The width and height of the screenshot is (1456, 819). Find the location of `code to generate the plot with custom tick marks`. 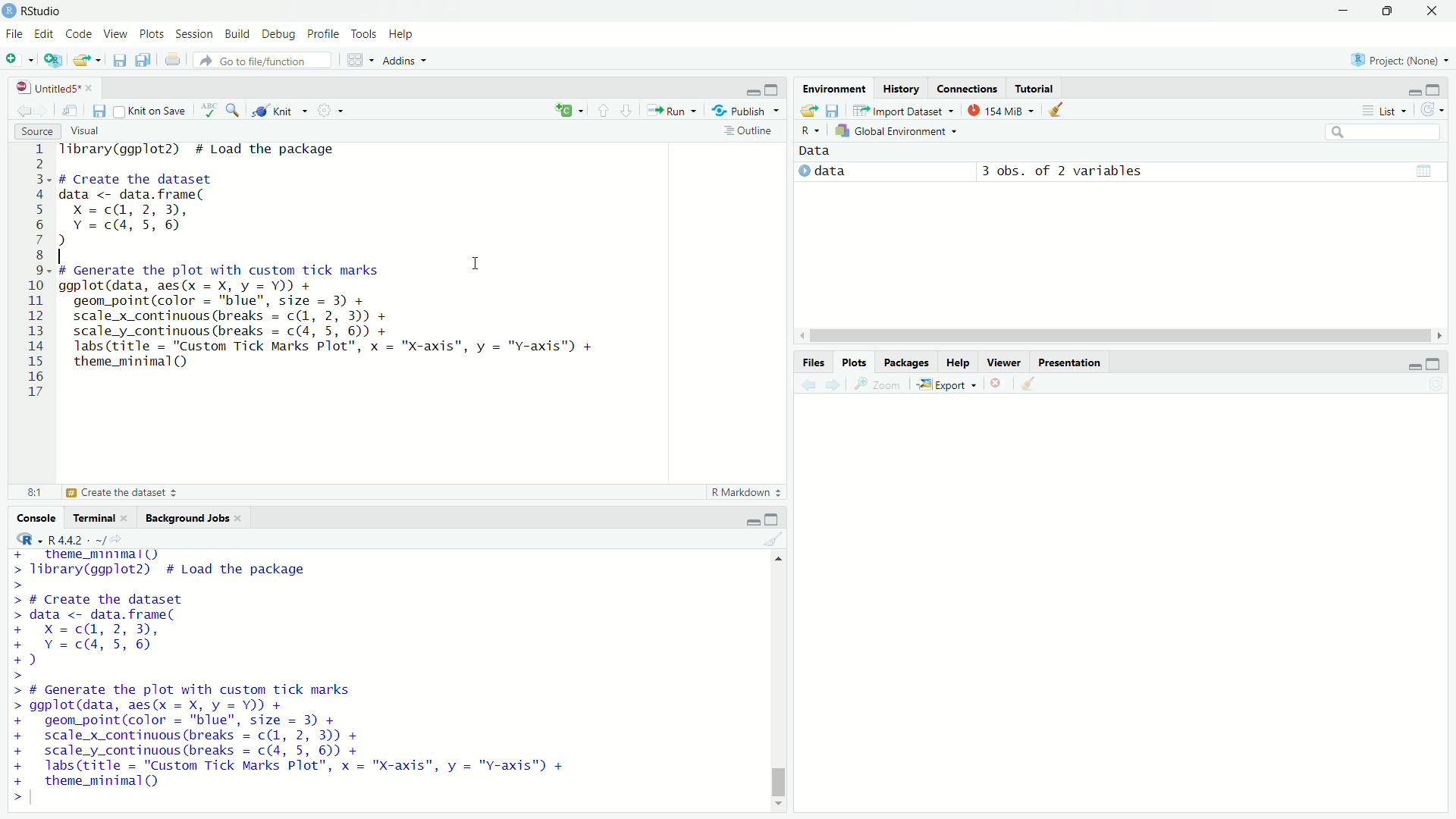

code to generate the plot with custom tick marks is located at coordinates (301, 735).